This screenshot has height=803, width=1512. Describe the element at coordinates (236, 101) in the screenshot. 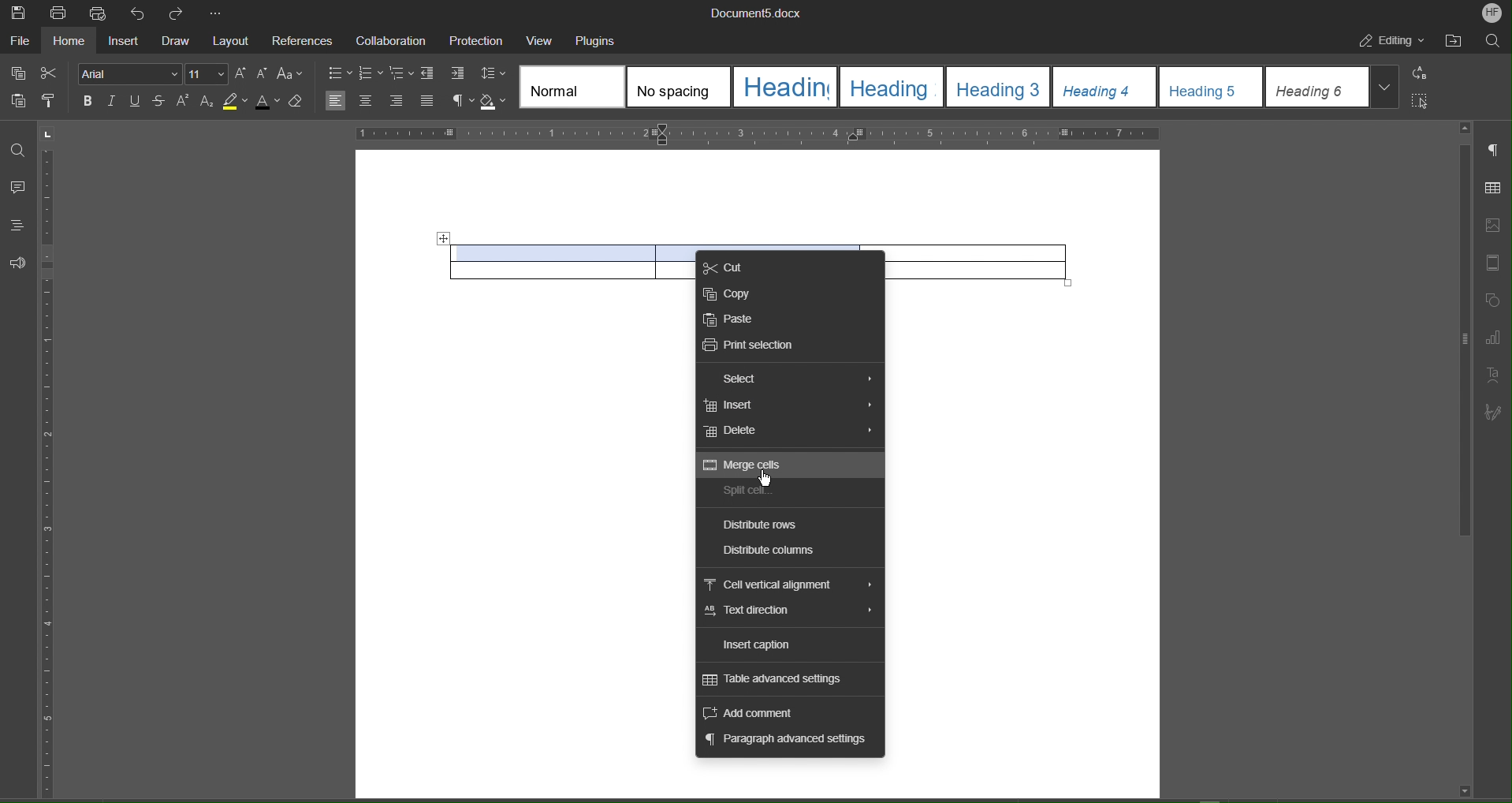

I see `Highlight` at that location.